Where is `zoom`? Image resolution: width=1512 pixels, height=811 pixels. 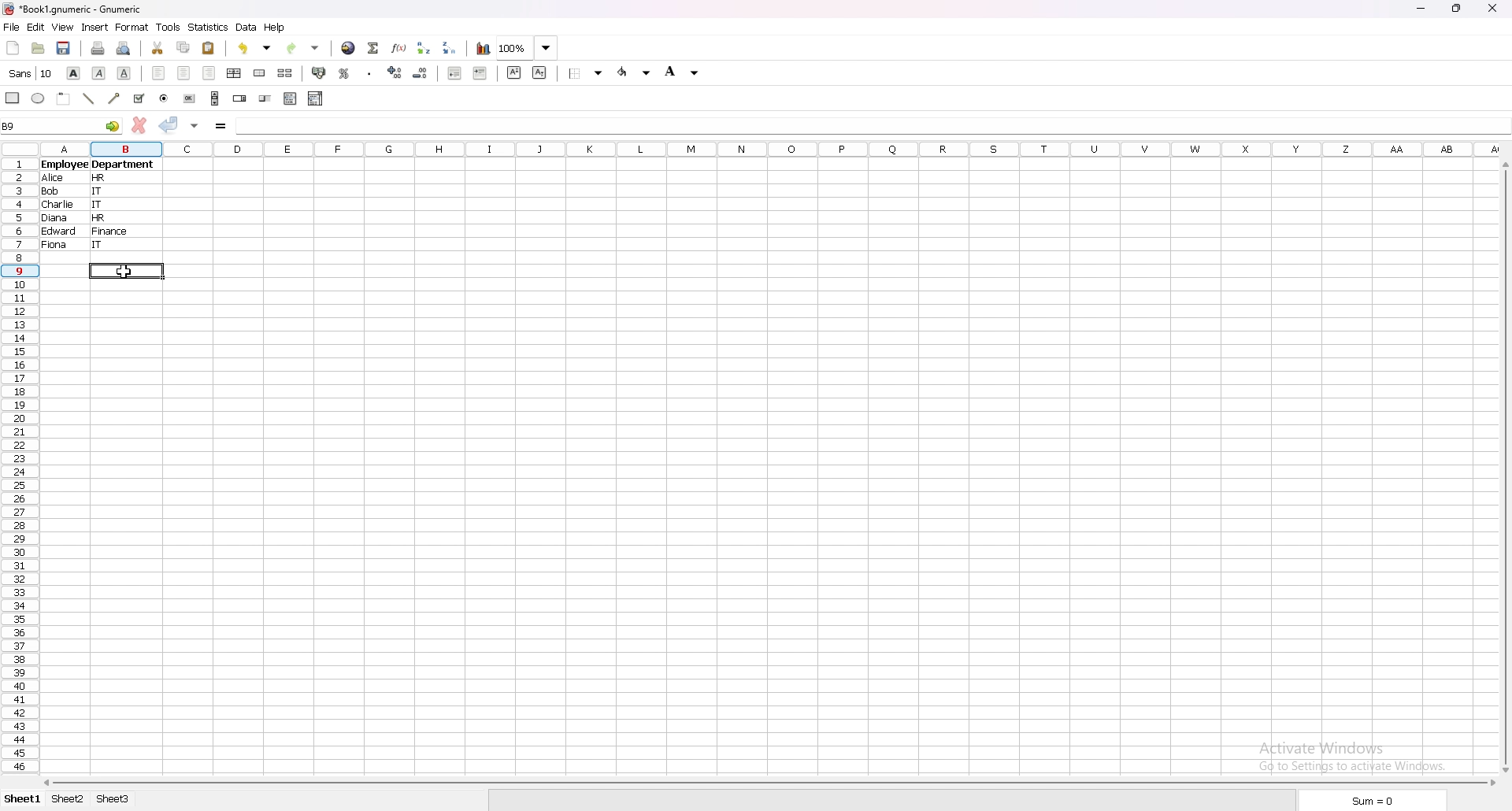 zoom is located at coordinates (528, 49).